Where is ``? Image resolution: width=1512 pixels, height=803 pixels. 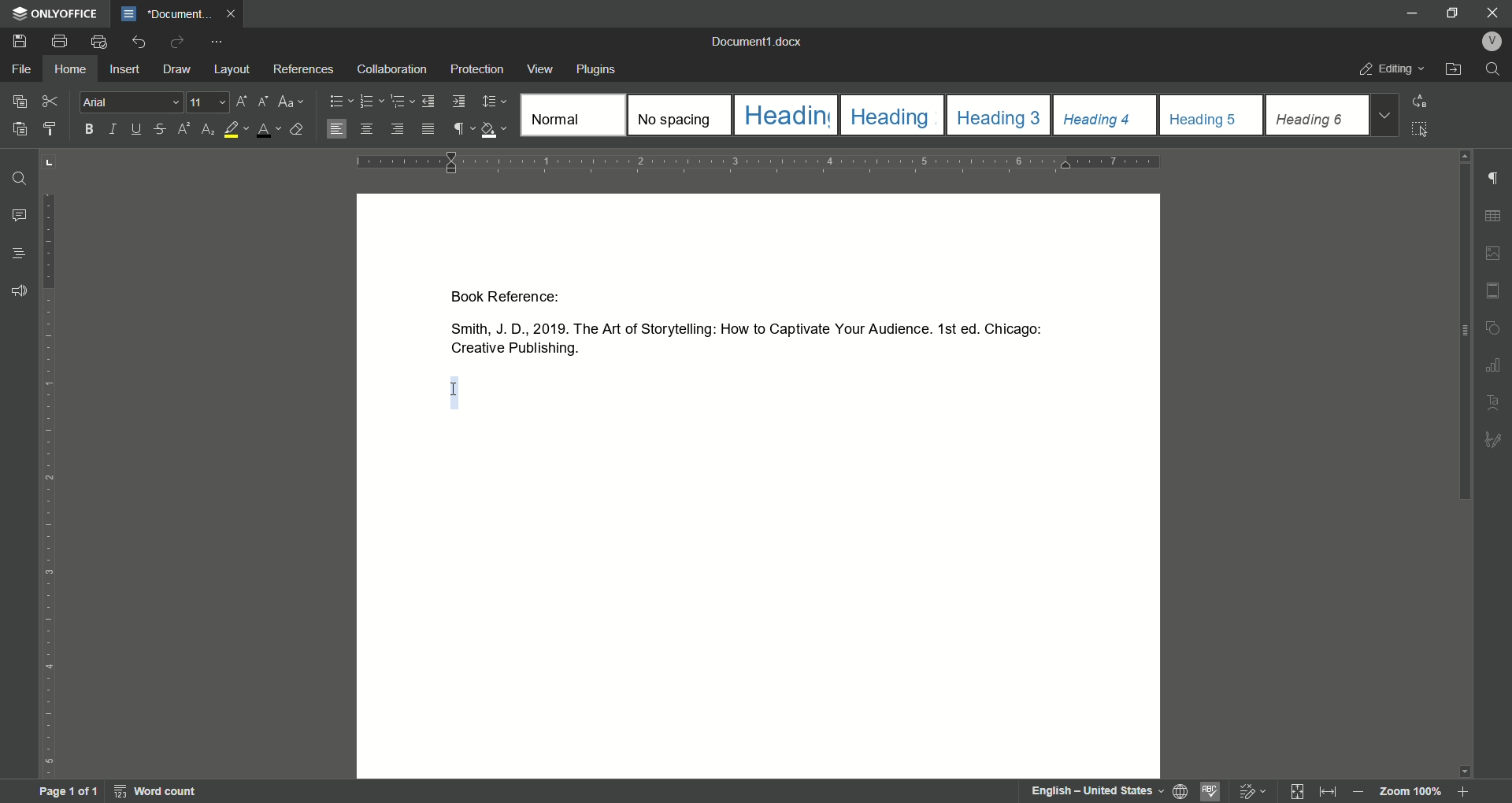
 is located at coordinates (1494, 440).